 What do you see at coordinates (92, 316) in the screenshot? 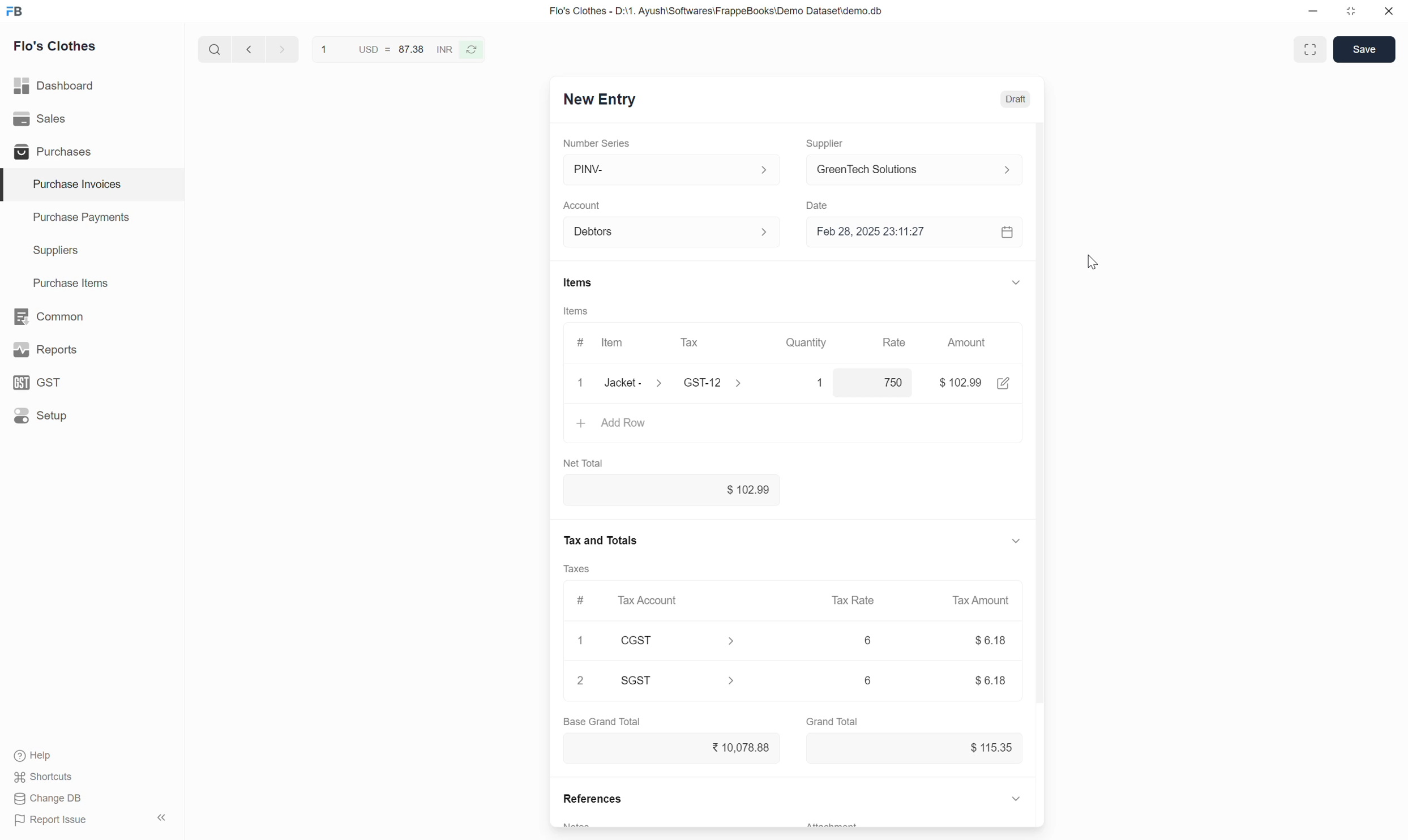
I see `Common` at bounding box center [92, 316].